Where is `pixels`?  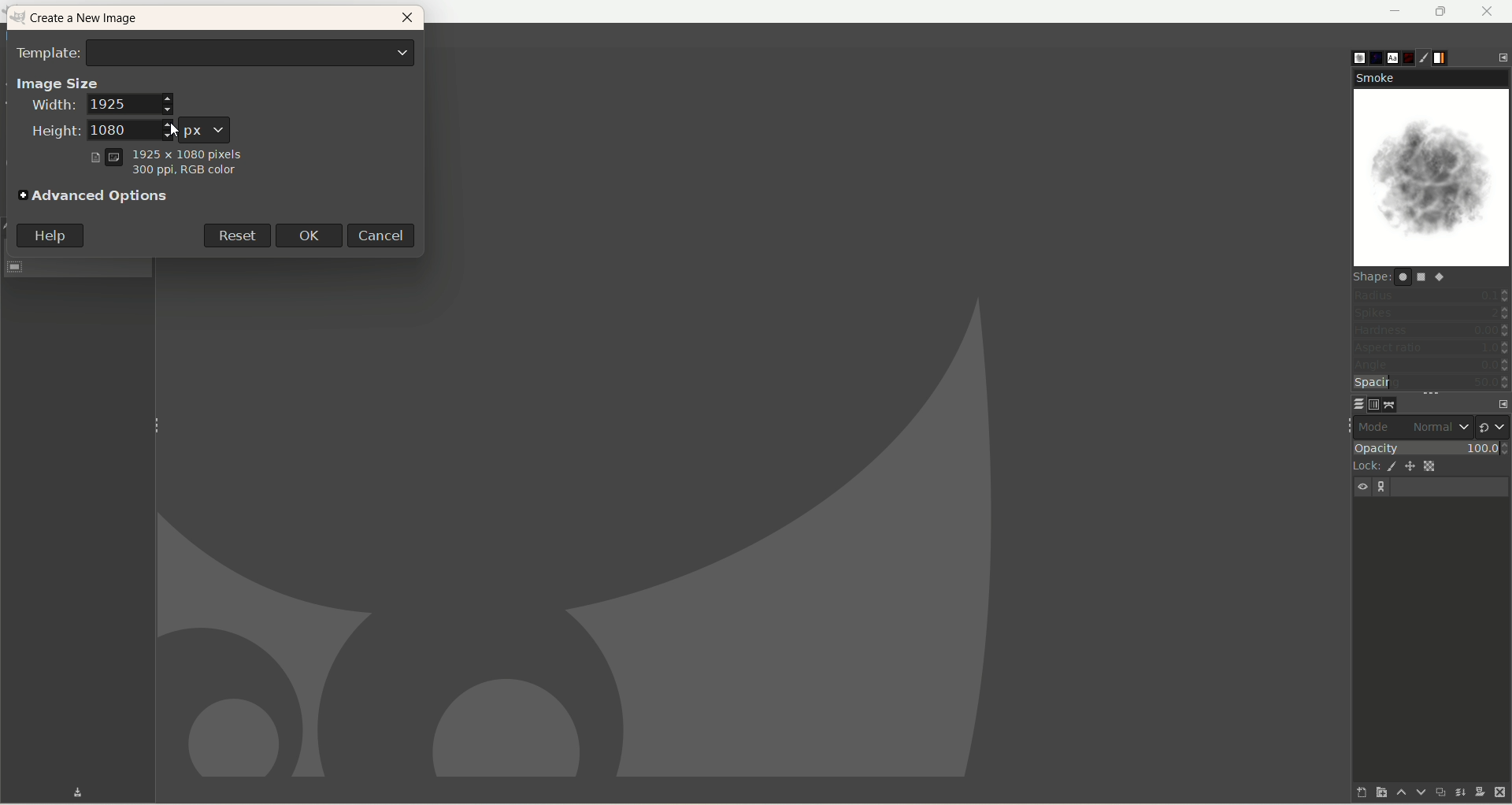 pixels is located at coordinates (166, 152).